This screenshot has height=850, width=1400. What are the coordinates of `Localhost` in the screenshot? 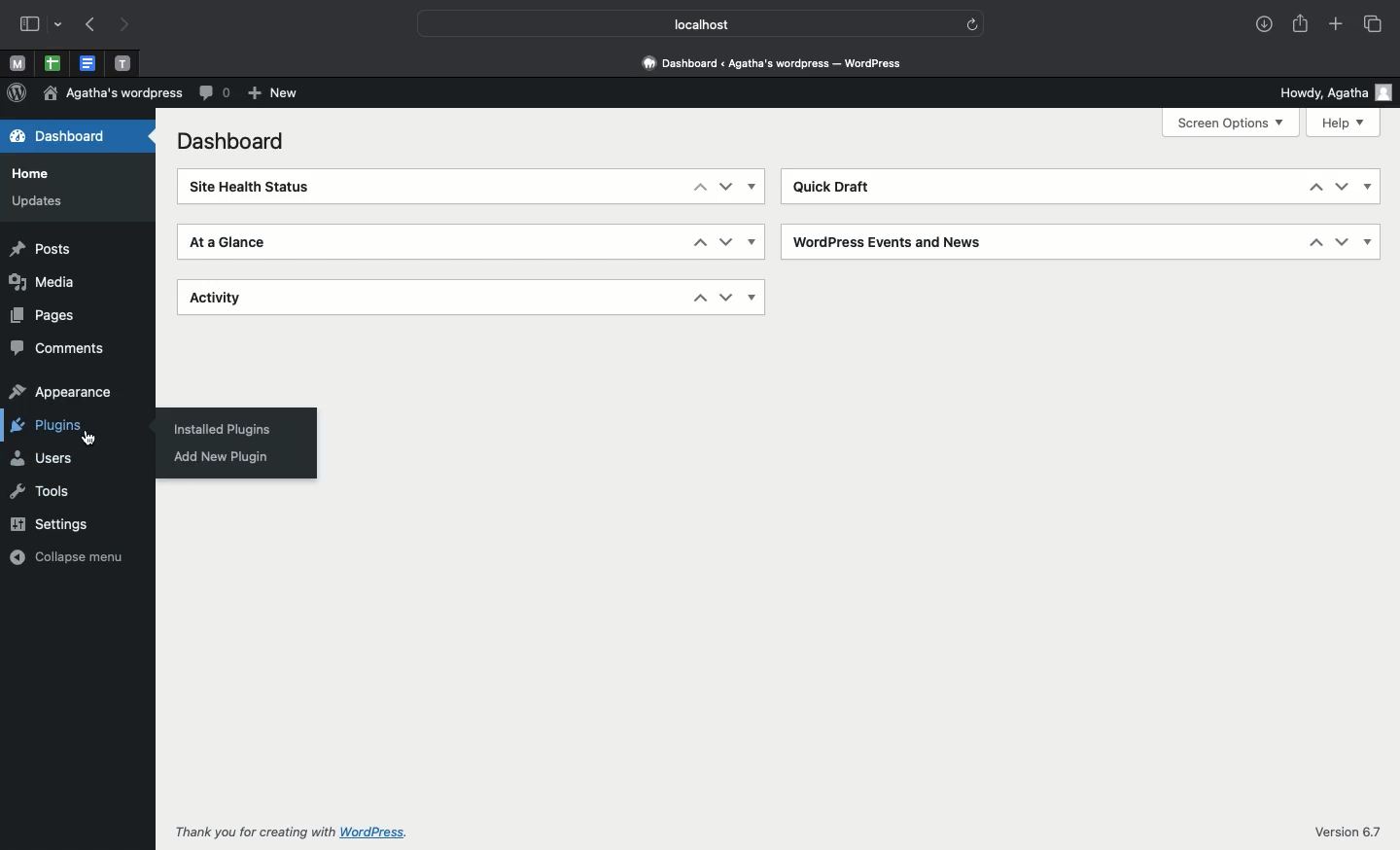 It's located at (687, 23).